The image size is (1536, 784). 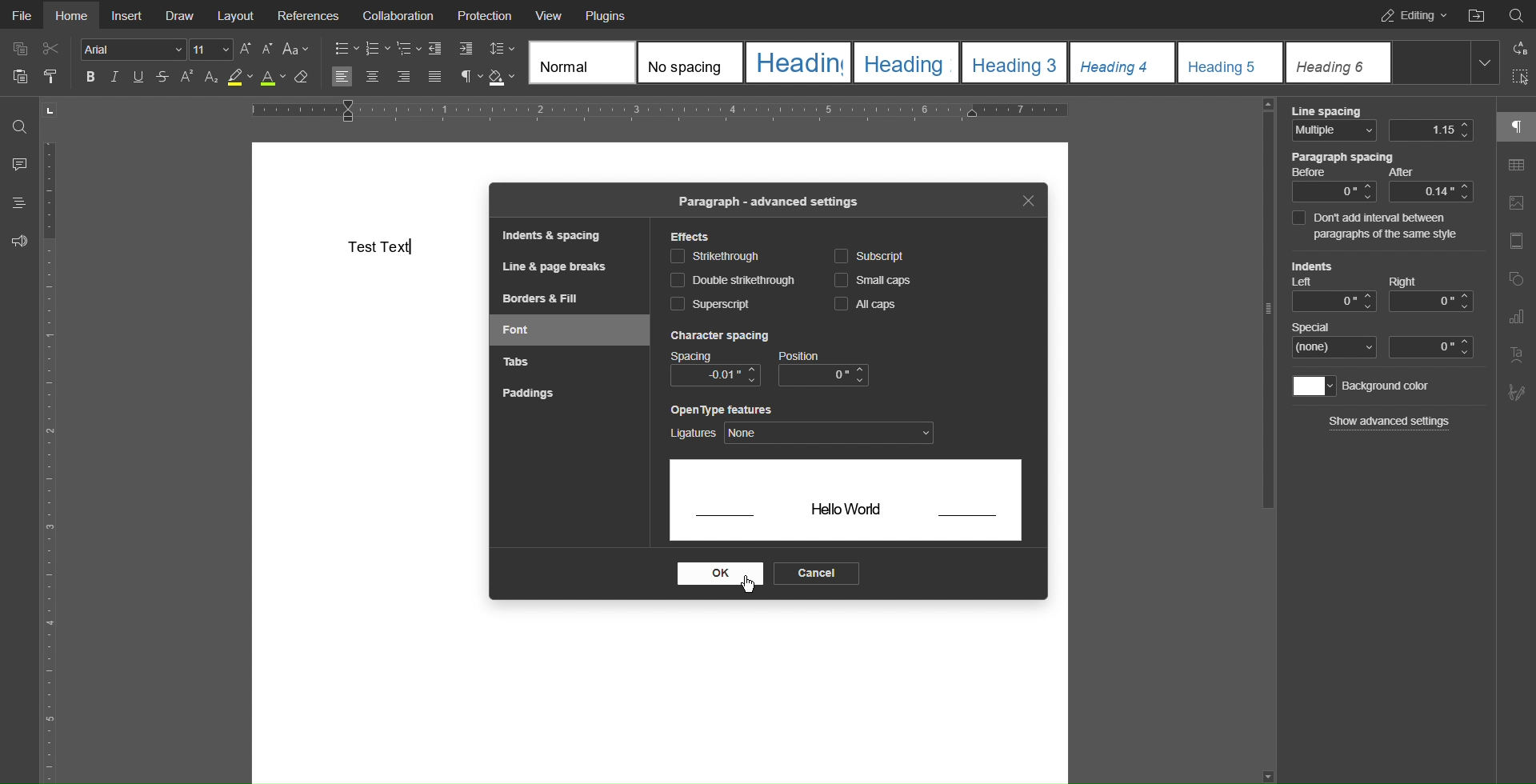 What do you see at coordinates (1516, 317) in the screenshot?
I see `Graph Settings` at bounding box center [1516, 317].